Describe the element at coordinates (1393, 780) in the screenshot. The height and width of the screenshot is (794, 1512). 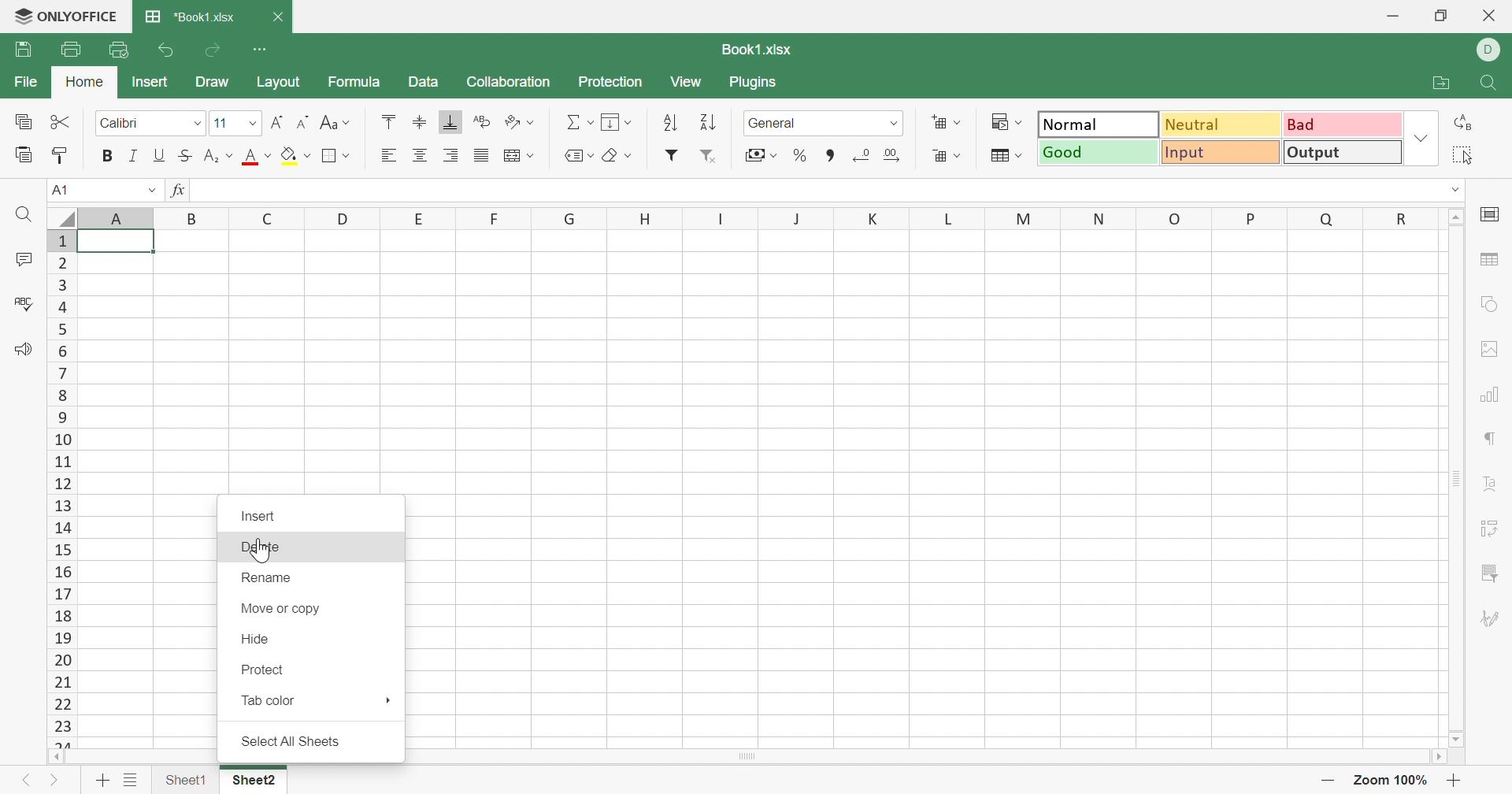
I see `Zoom 100%` at that location.